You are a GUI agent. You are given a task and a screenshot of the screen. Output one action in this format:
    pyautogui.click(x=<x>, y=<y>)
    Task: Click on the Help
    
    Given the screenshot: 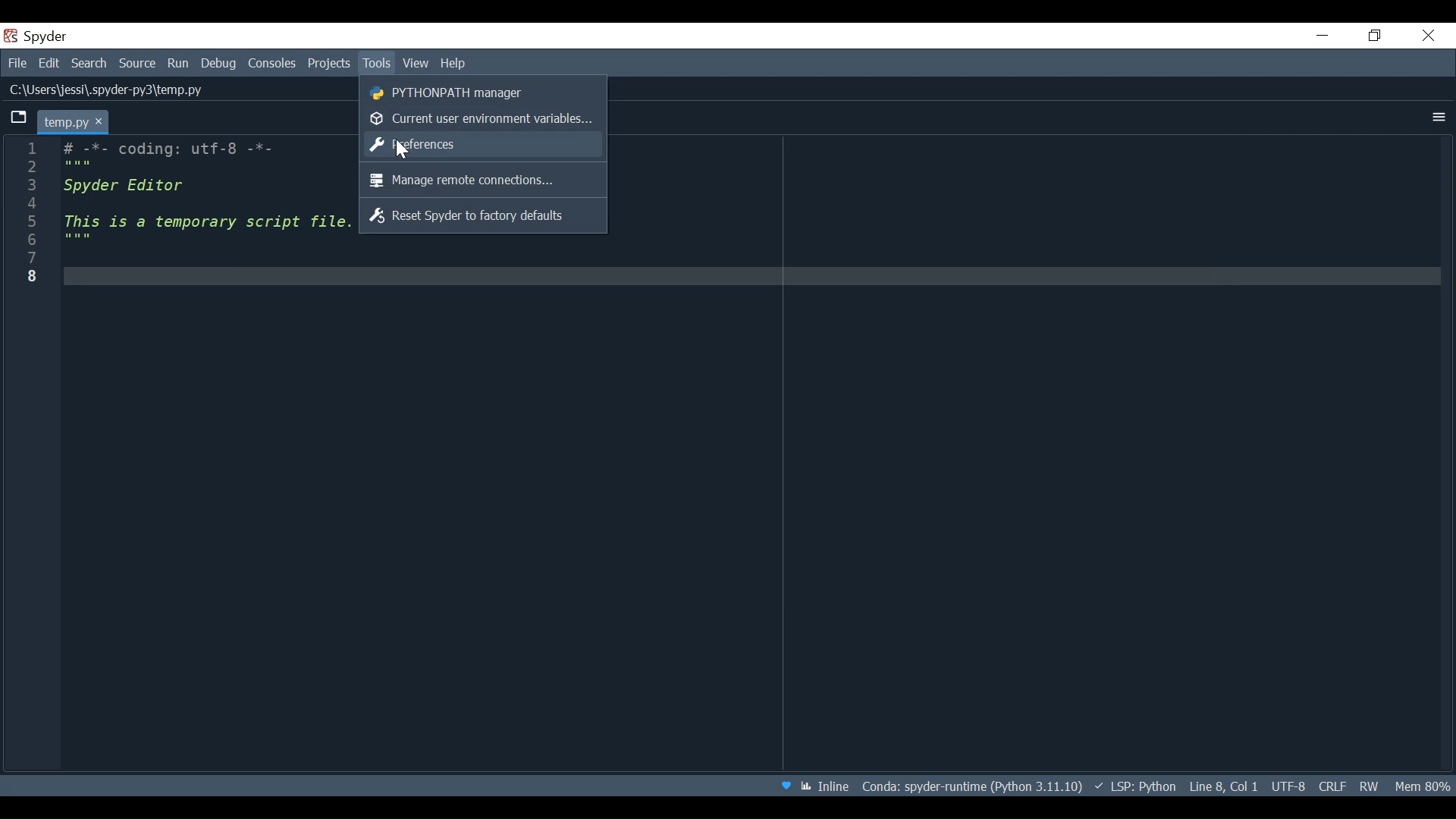 What is the action you would take?
    pyautogui.click(x=454, y=63)
    